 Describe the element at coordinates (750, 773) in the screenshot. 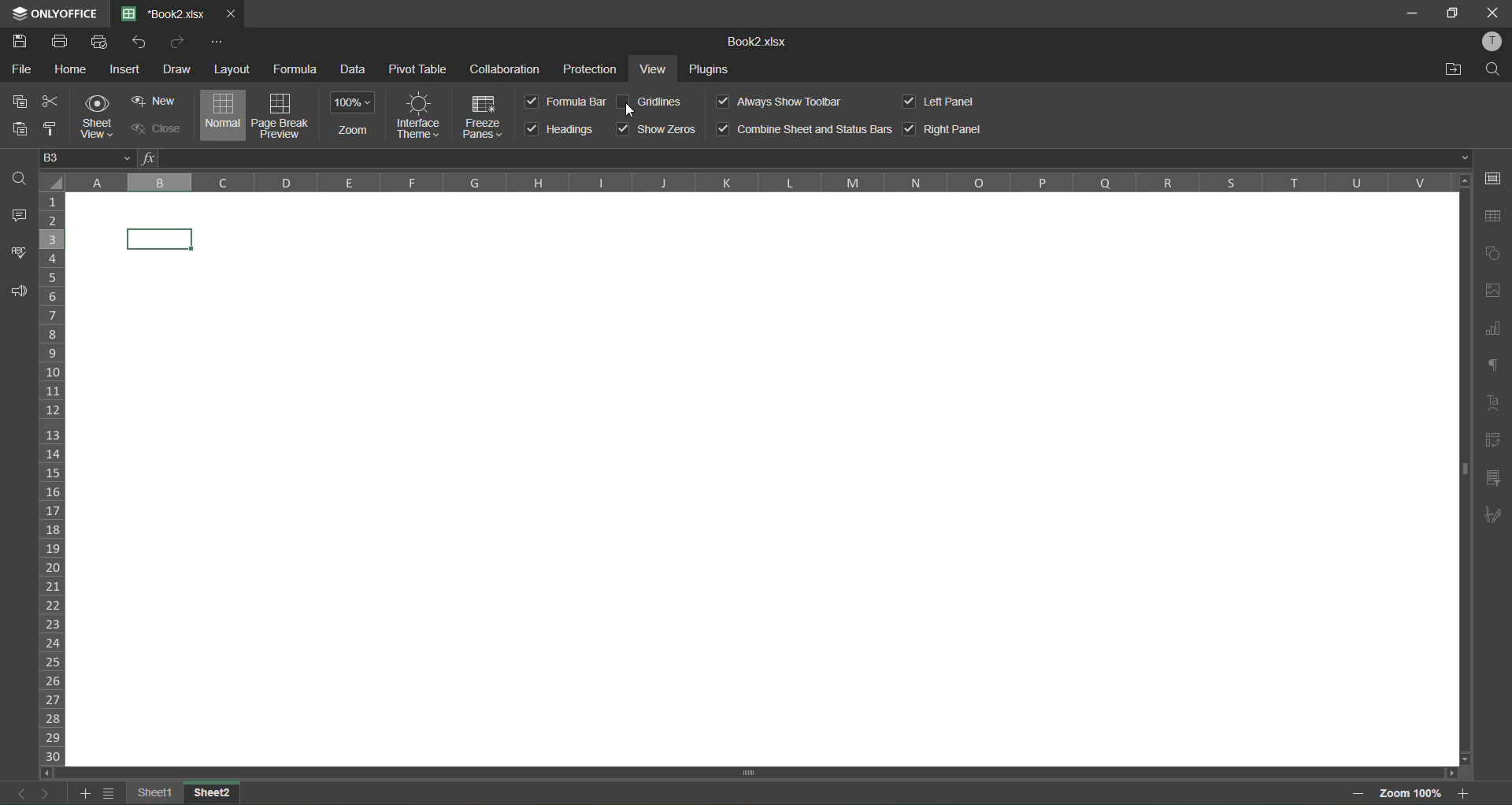

I see `scrollbar` at that location.